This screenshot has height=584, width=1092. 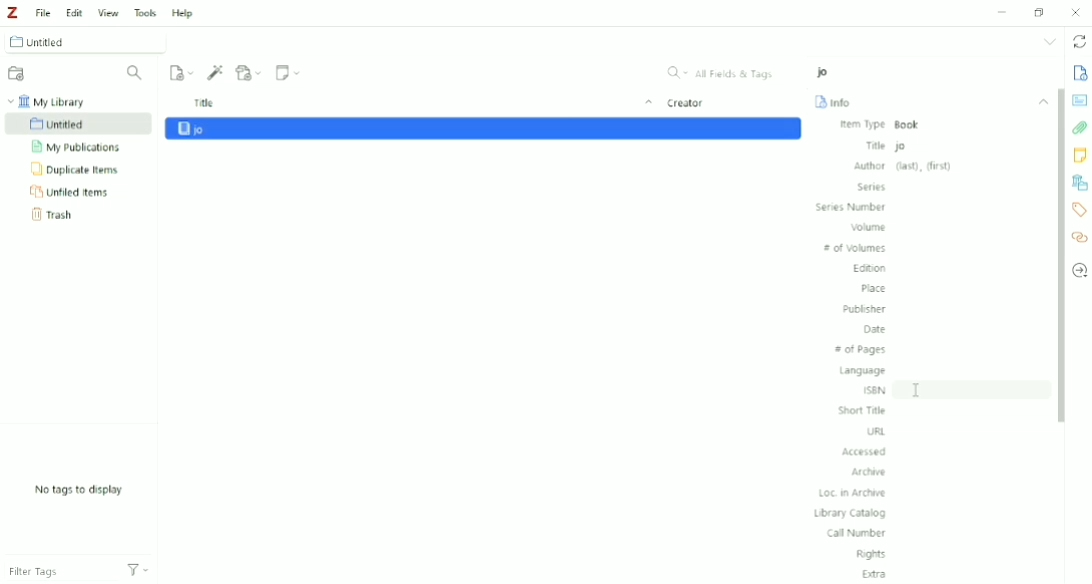 I want to click on jo, so click(x=822, y=72).